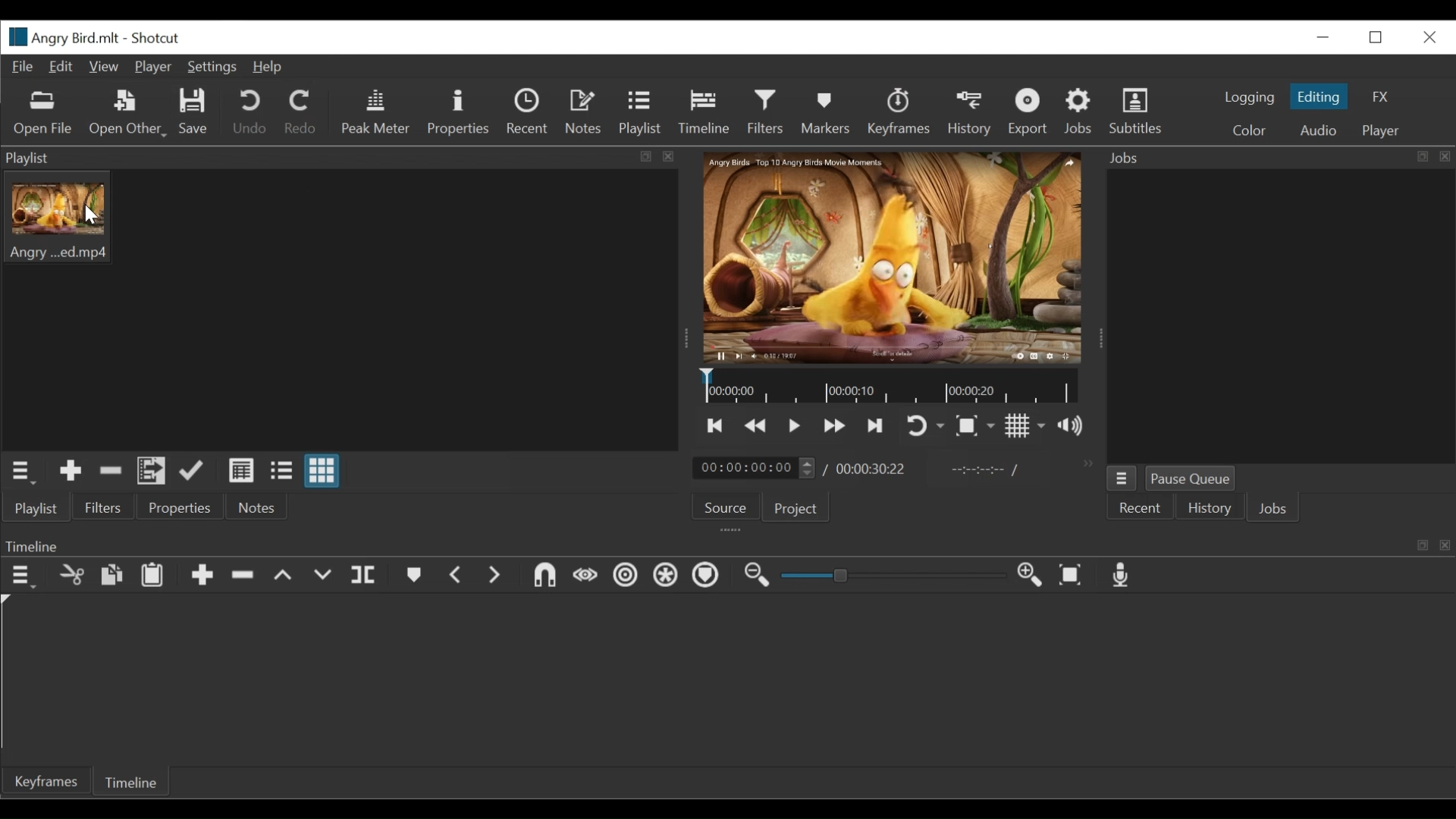 Image resolution: width=1456 pixels, height=819 pixels. I want to click on File, so click(24, 67).